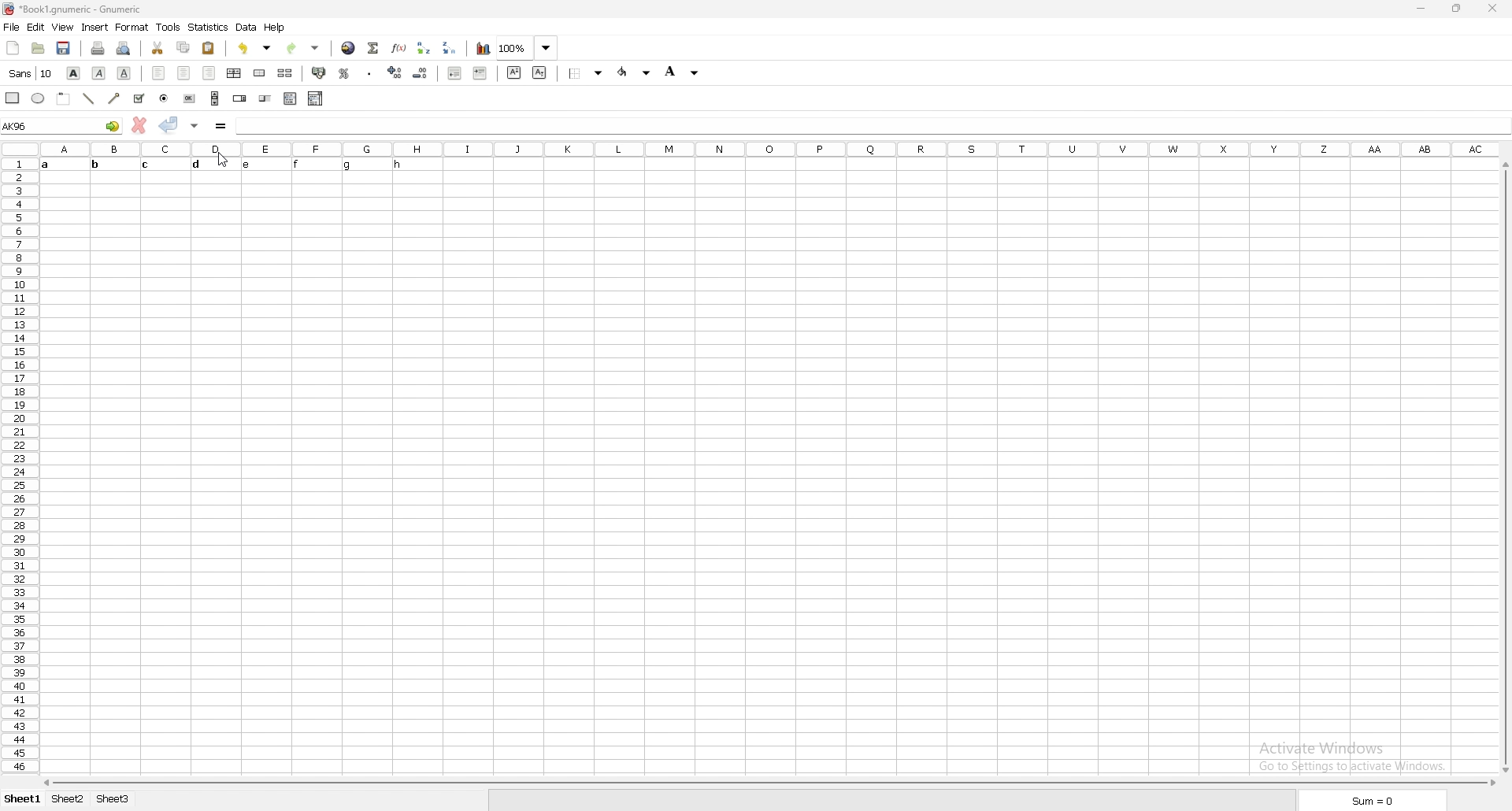 The height and width of the screenshot is (811, 1512). Describe the element at coordinates (374, 48) in the screenshot. I see `summation` at that location.